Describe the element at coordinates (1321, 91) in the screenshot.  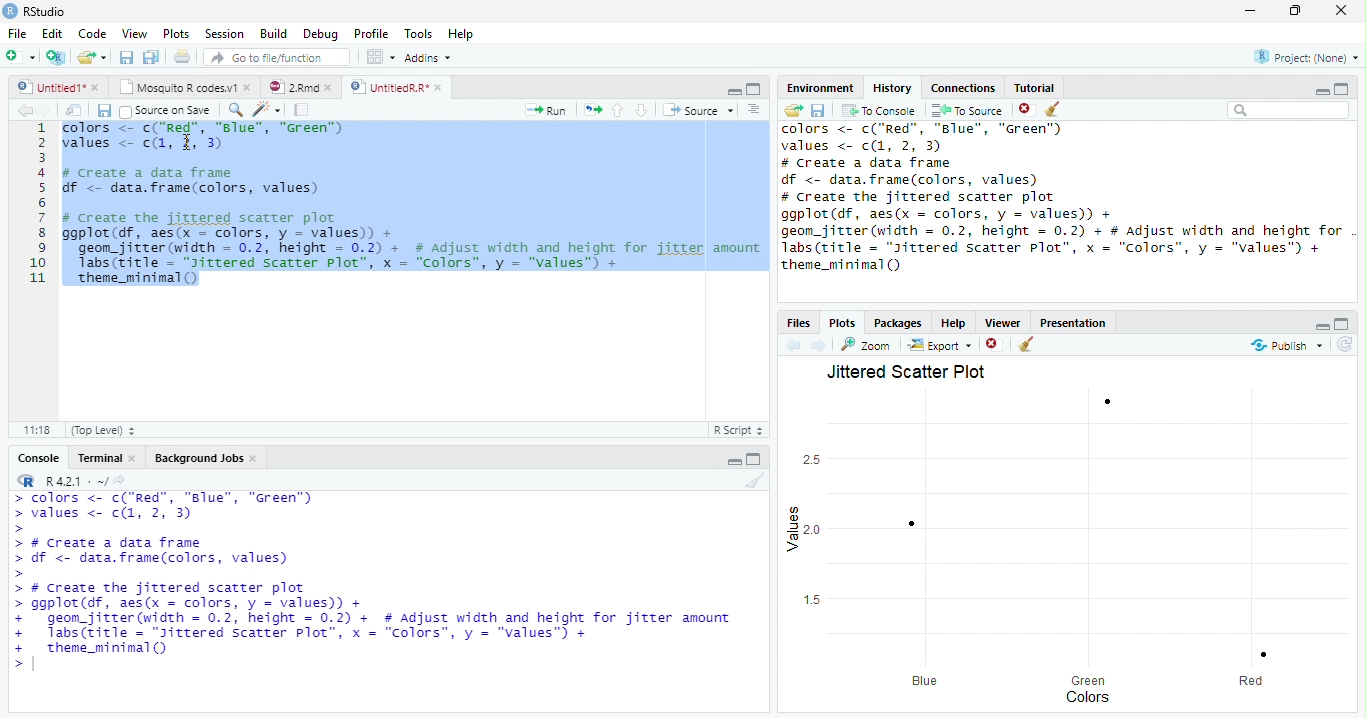
I see `Minimize` at that location.